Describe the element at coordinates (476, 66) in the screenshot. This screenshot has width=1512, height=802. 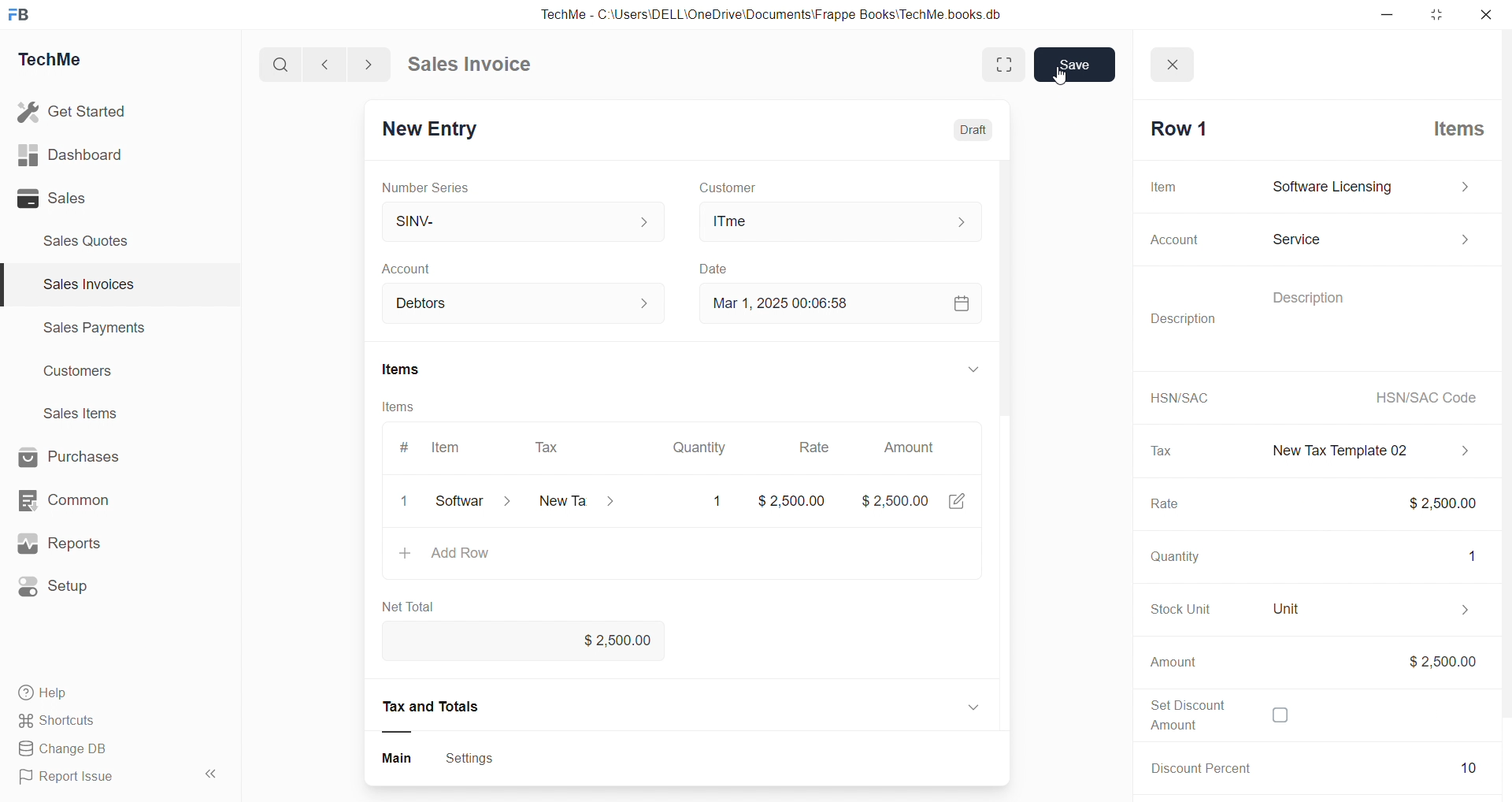
I see `Sales Invoice` at that location.